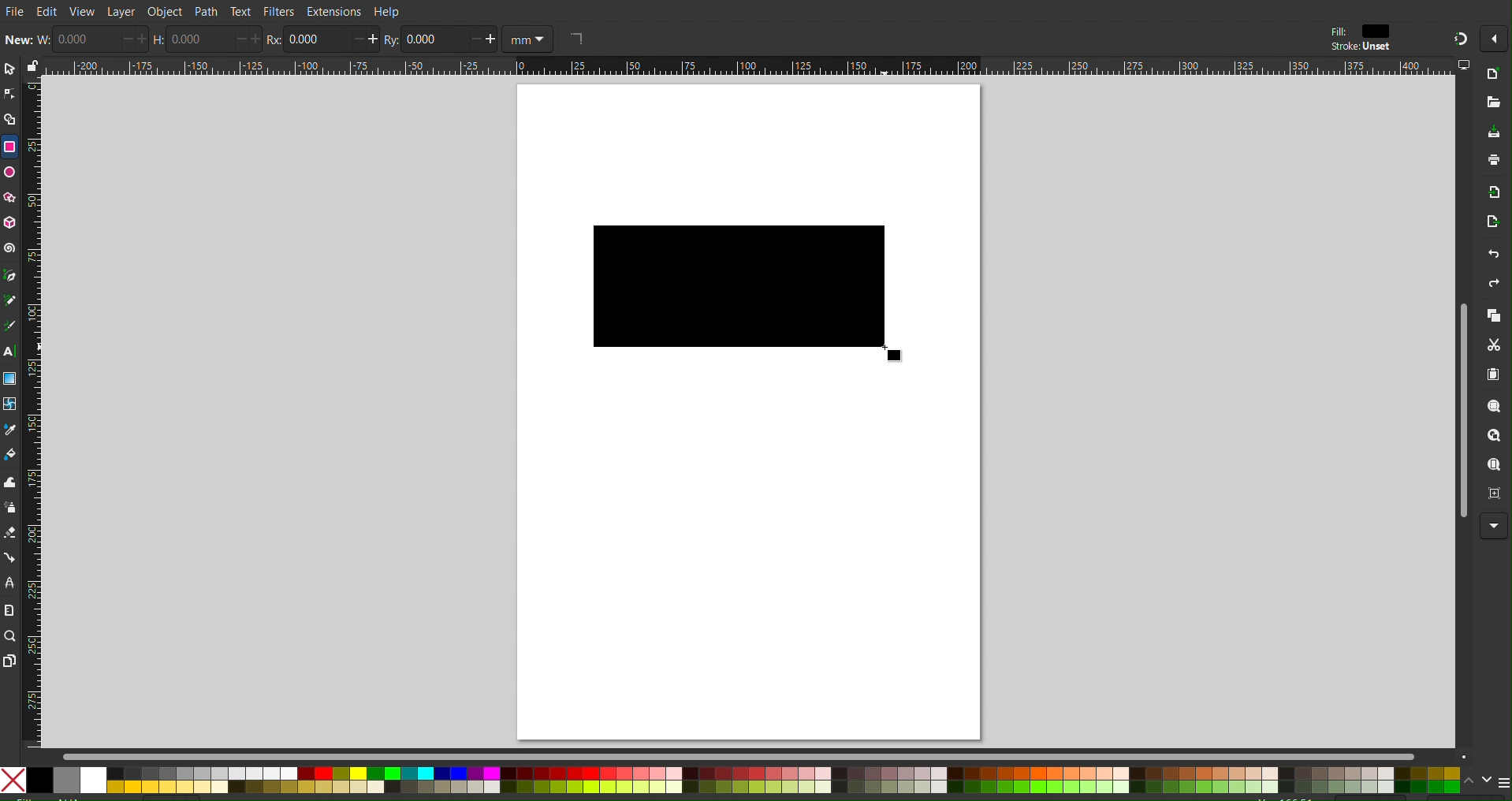  I want to click on New, so click(1493, 75).